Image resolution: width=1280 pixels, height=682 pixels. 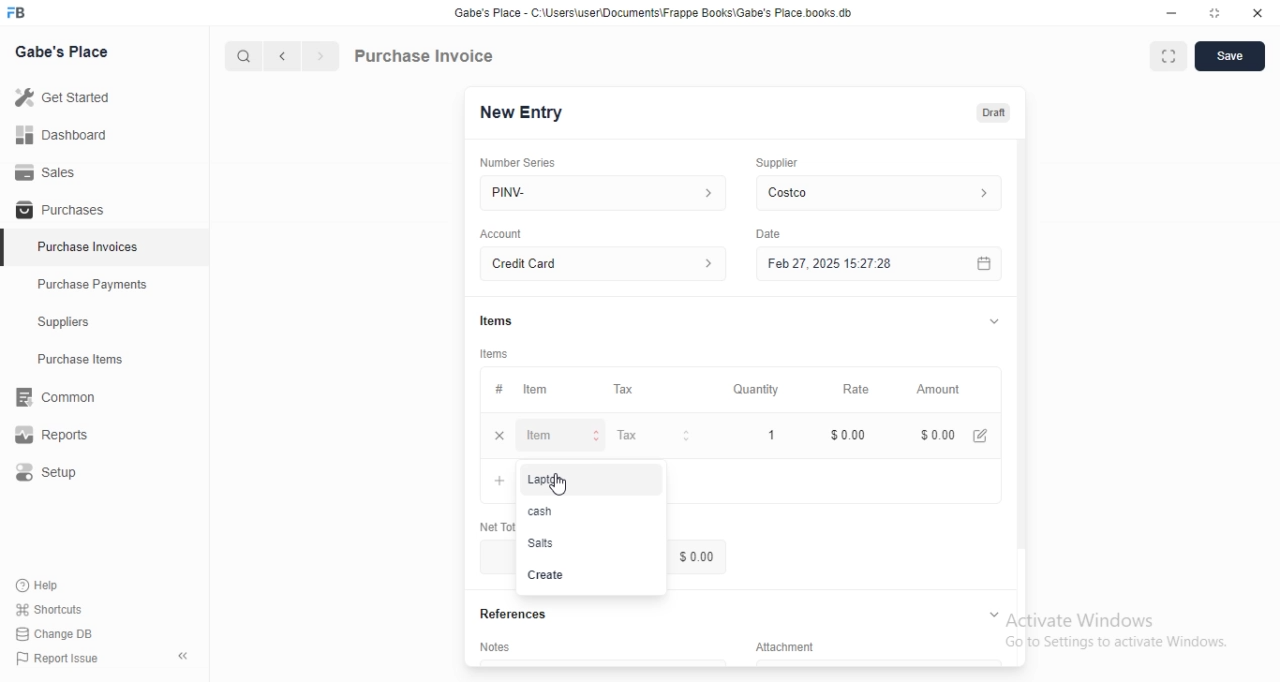 What do you see at coordinates (1117, 630) in the screenshot?
I see `Activate Windows Go to Settings to activate Windows.` at bounding box center [1117, 630].